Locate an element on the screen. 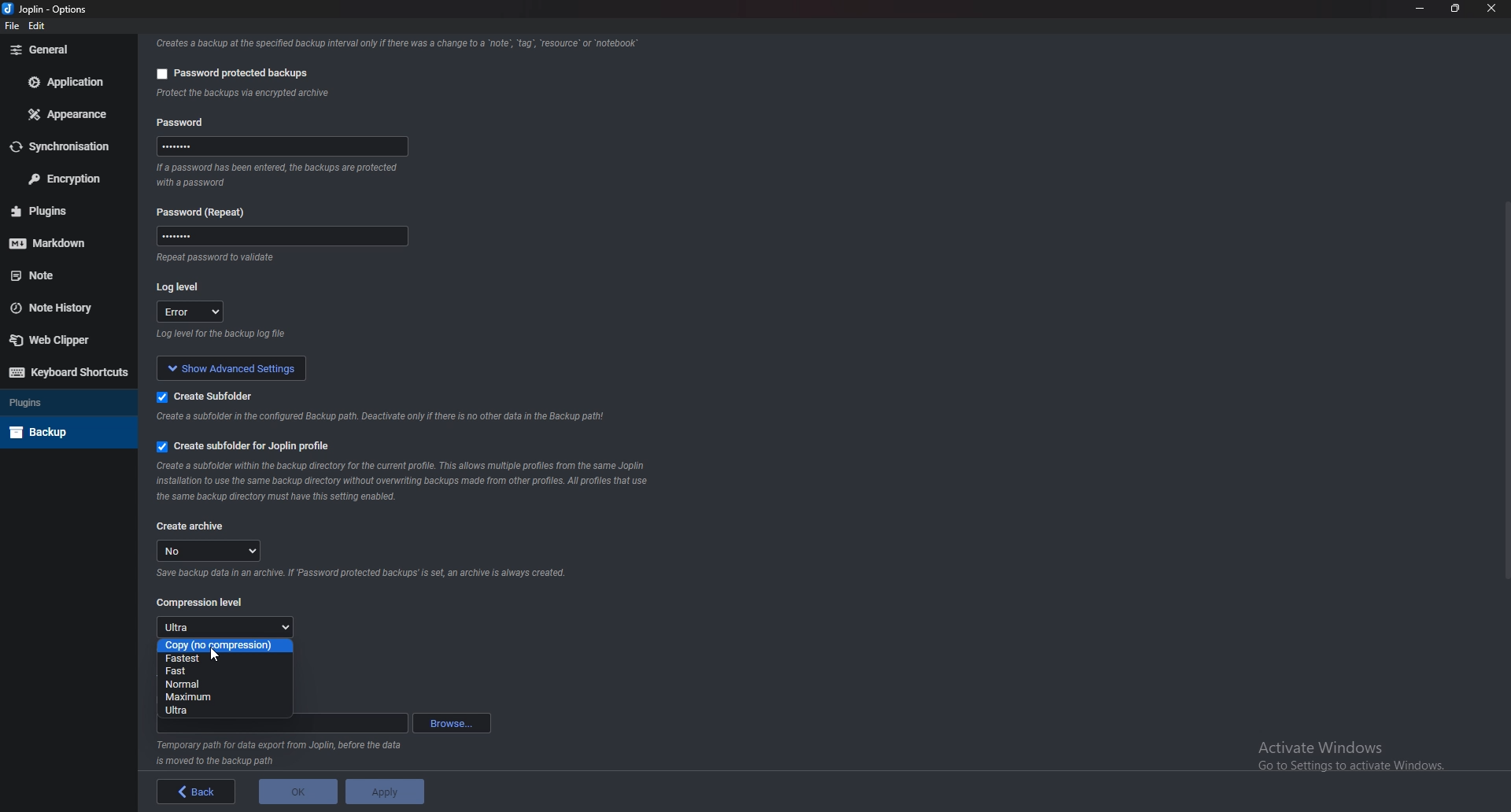  Info is located at coordinates (360, 576).